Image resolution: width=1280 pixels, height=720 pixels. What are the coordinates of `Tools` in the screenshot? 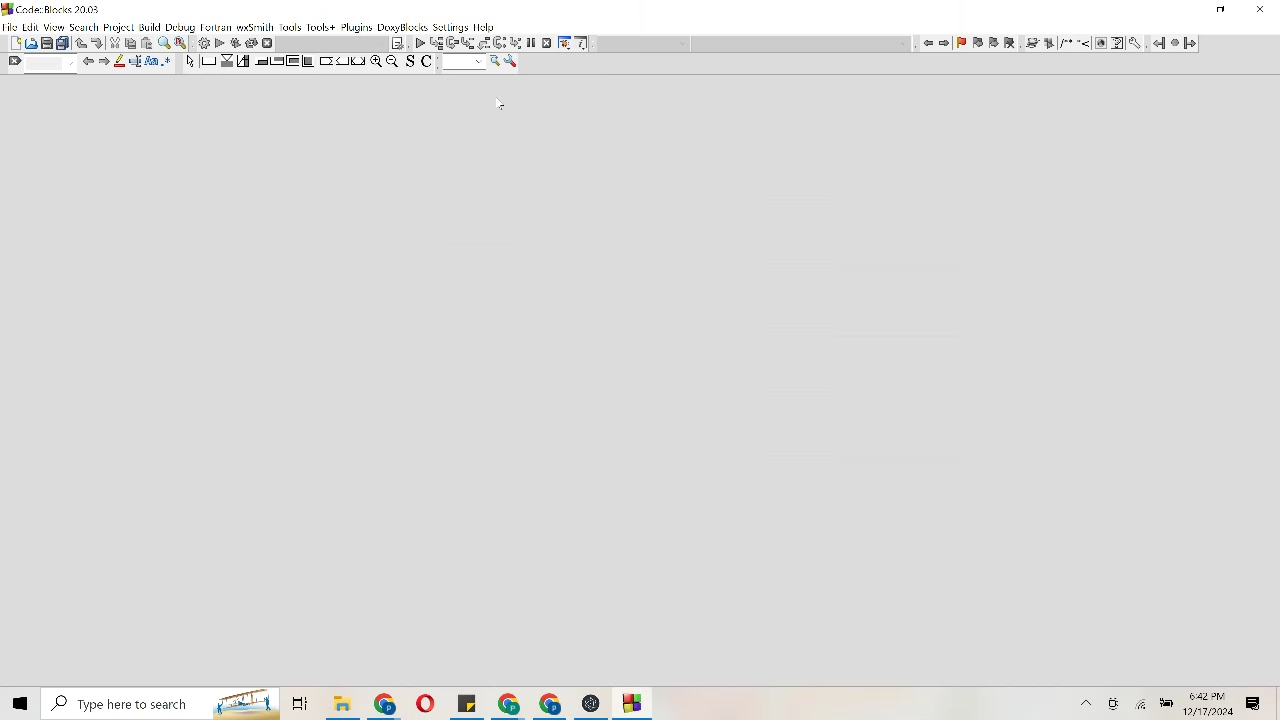 It's located at (512, 62).